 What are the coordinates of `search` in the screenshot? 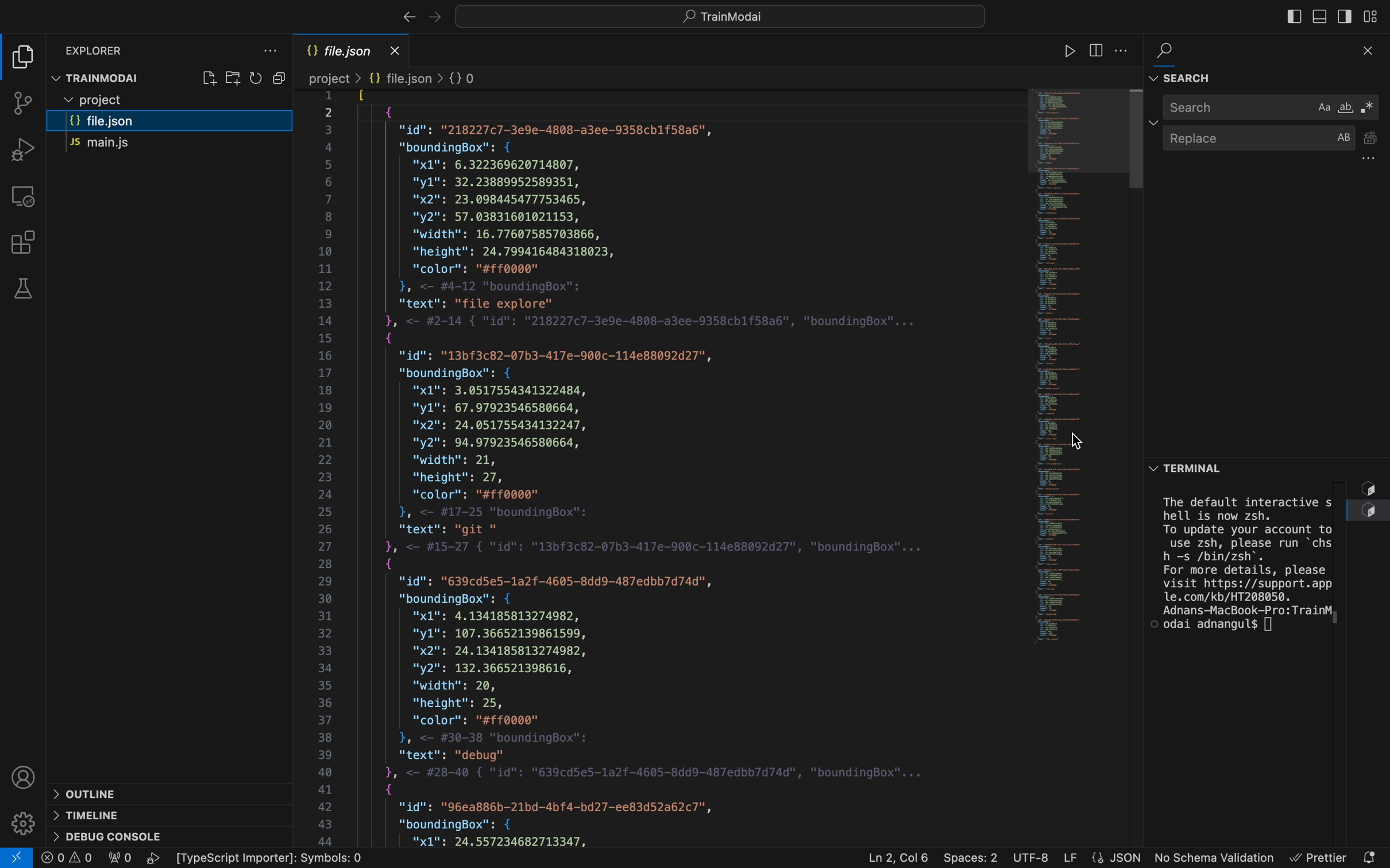 It's located at (1272, 107).